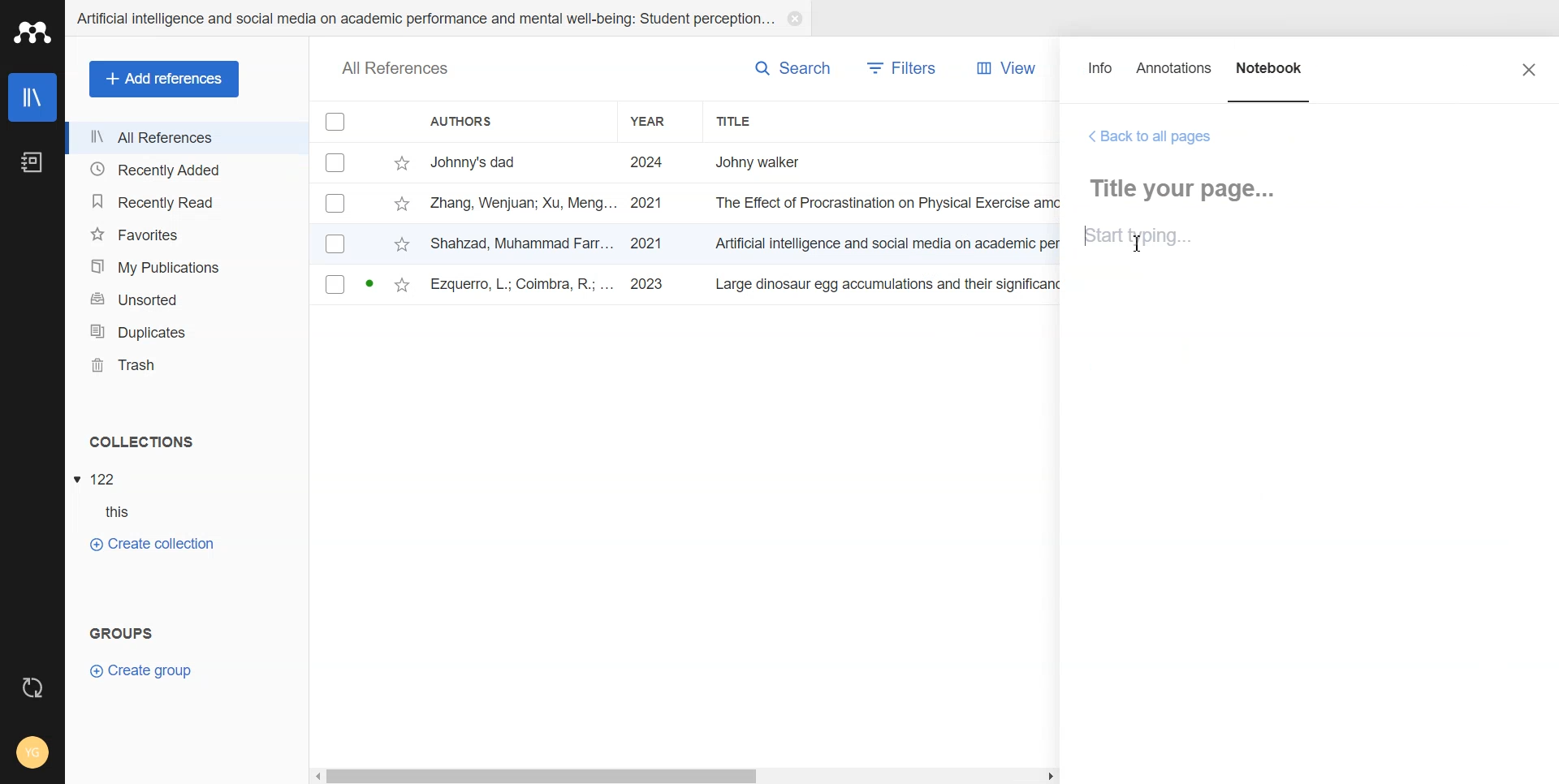  Describe the element at coordinates (165, 80) in the screenshot. I see `Add references` at that location.